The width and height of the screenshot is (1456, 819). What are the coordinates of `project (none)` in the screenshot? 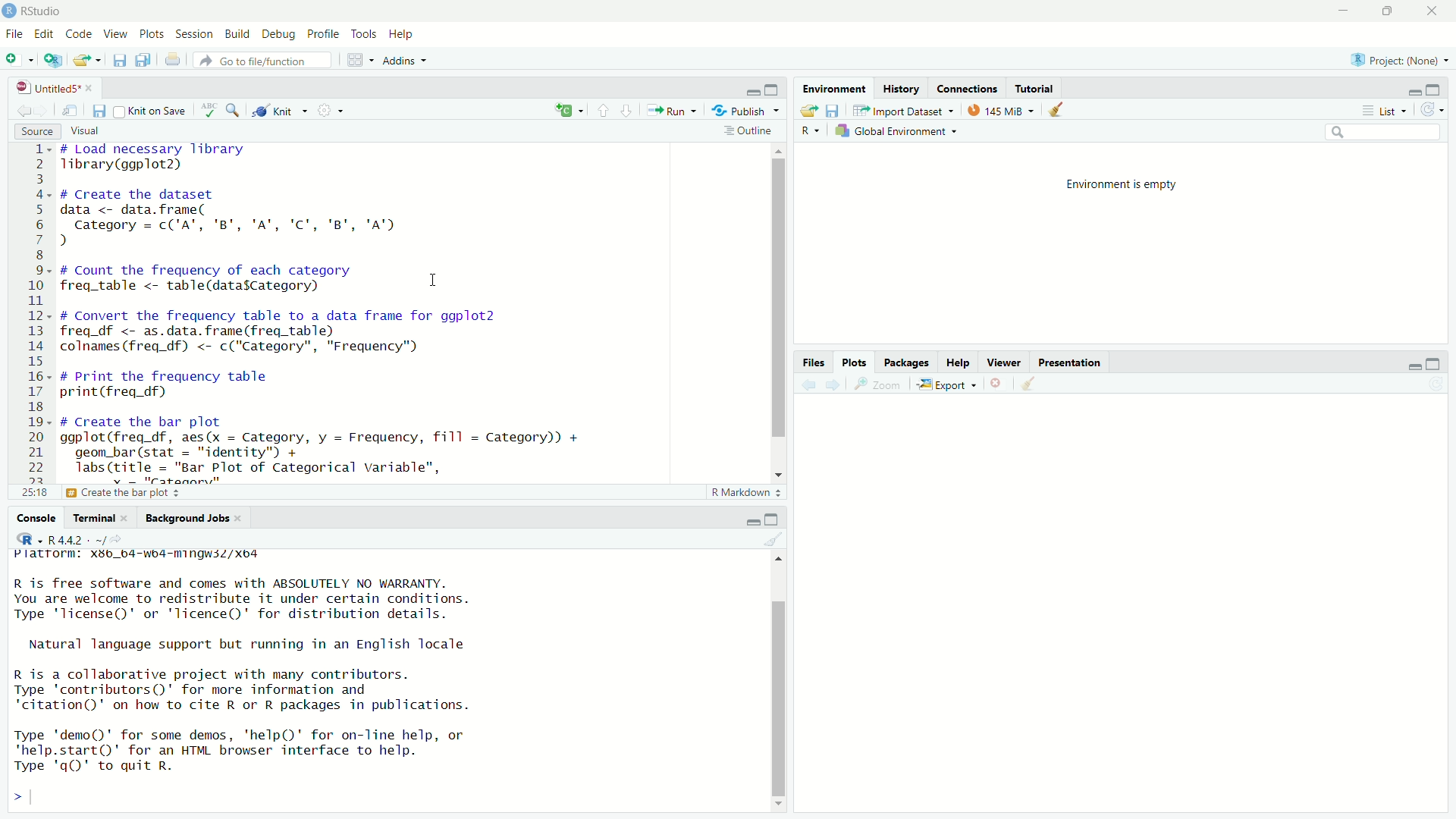 It's located at (1402, 61).